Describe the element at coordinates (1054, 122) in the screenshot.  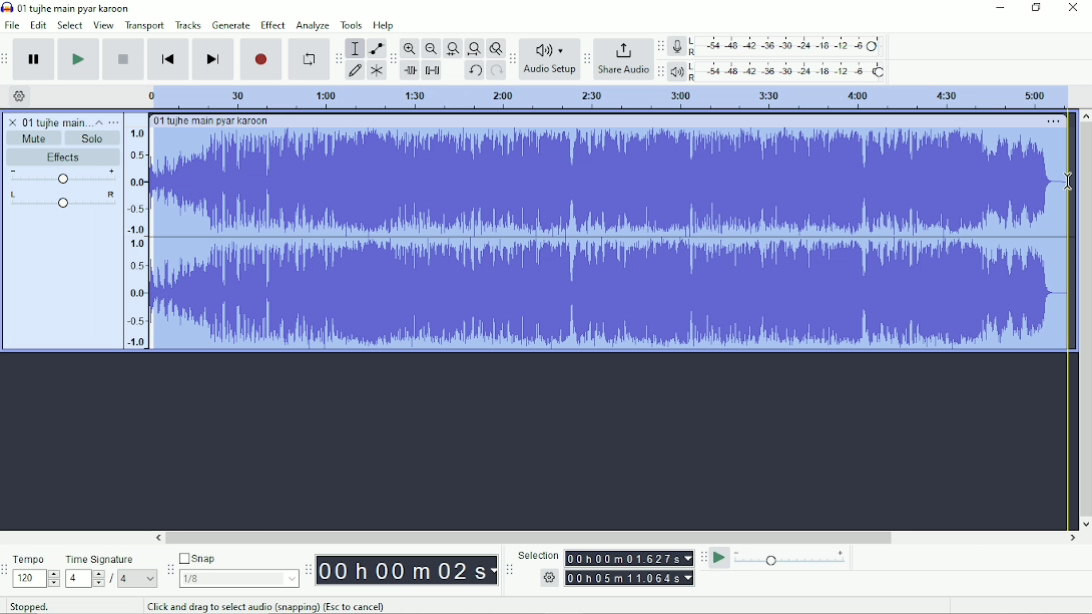
I see `More options` at that location.